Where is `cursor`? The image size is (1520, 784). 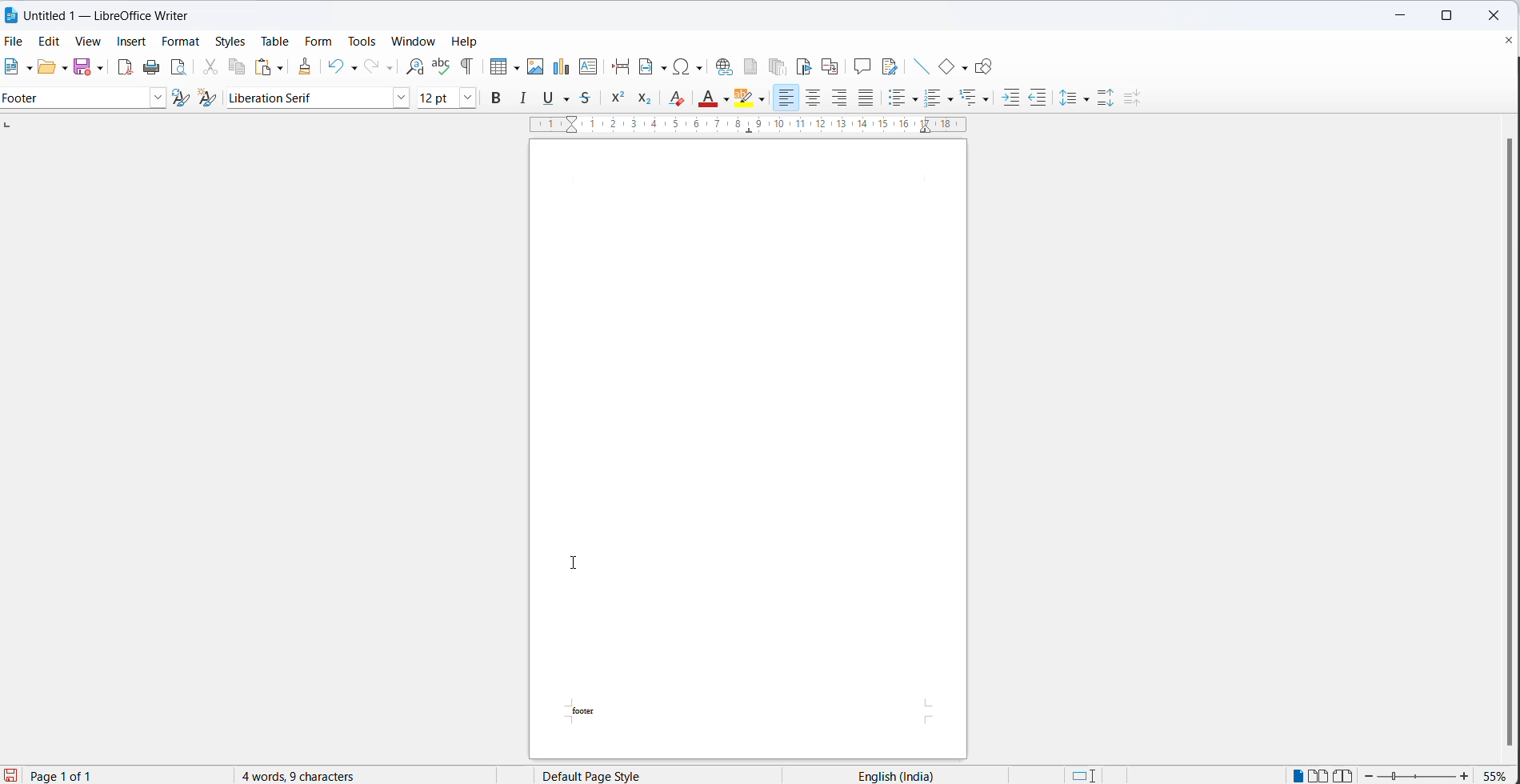 cursor is located at coordinates (582, 564).